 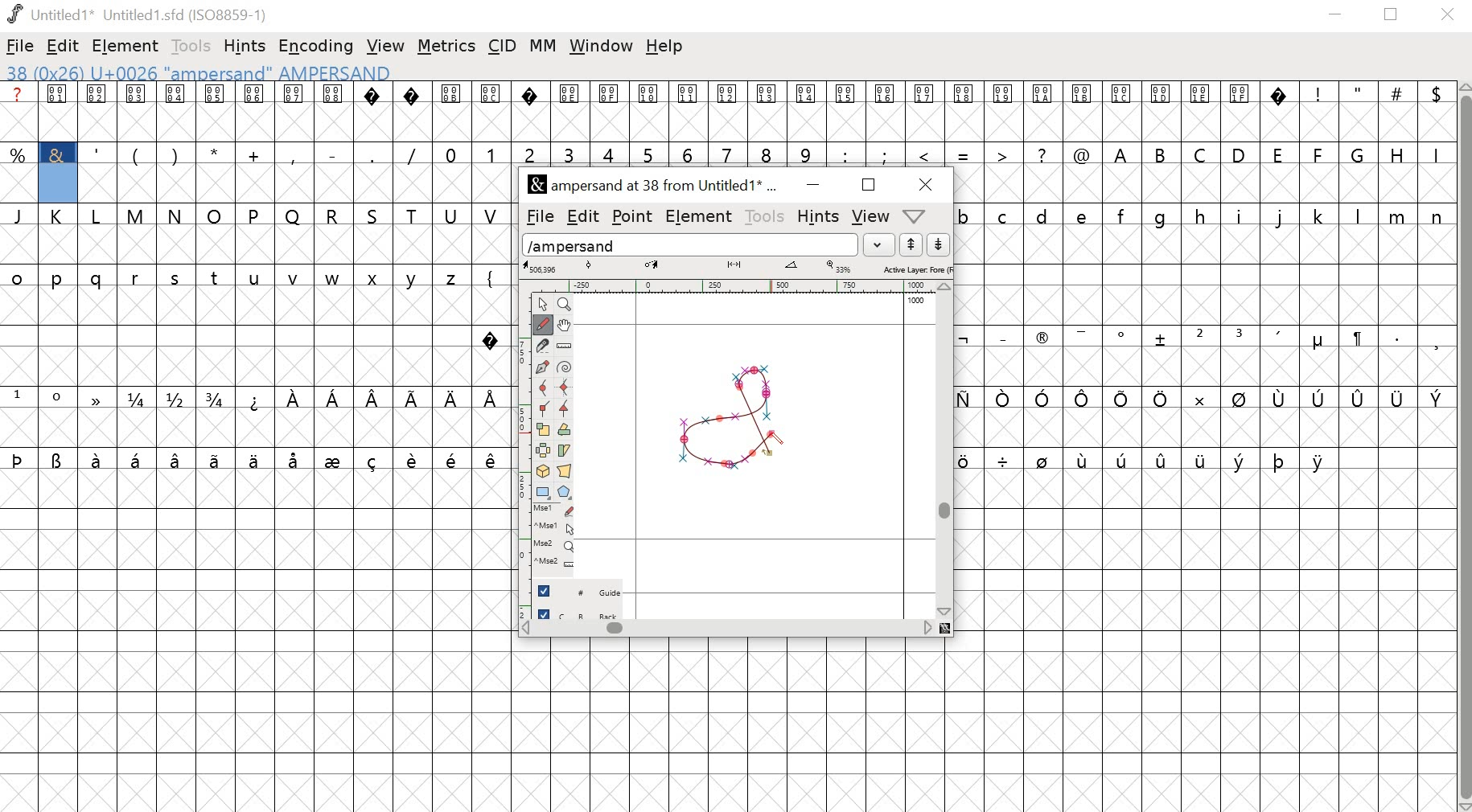 I want to click on 001F, so click(x=1240, y=111).